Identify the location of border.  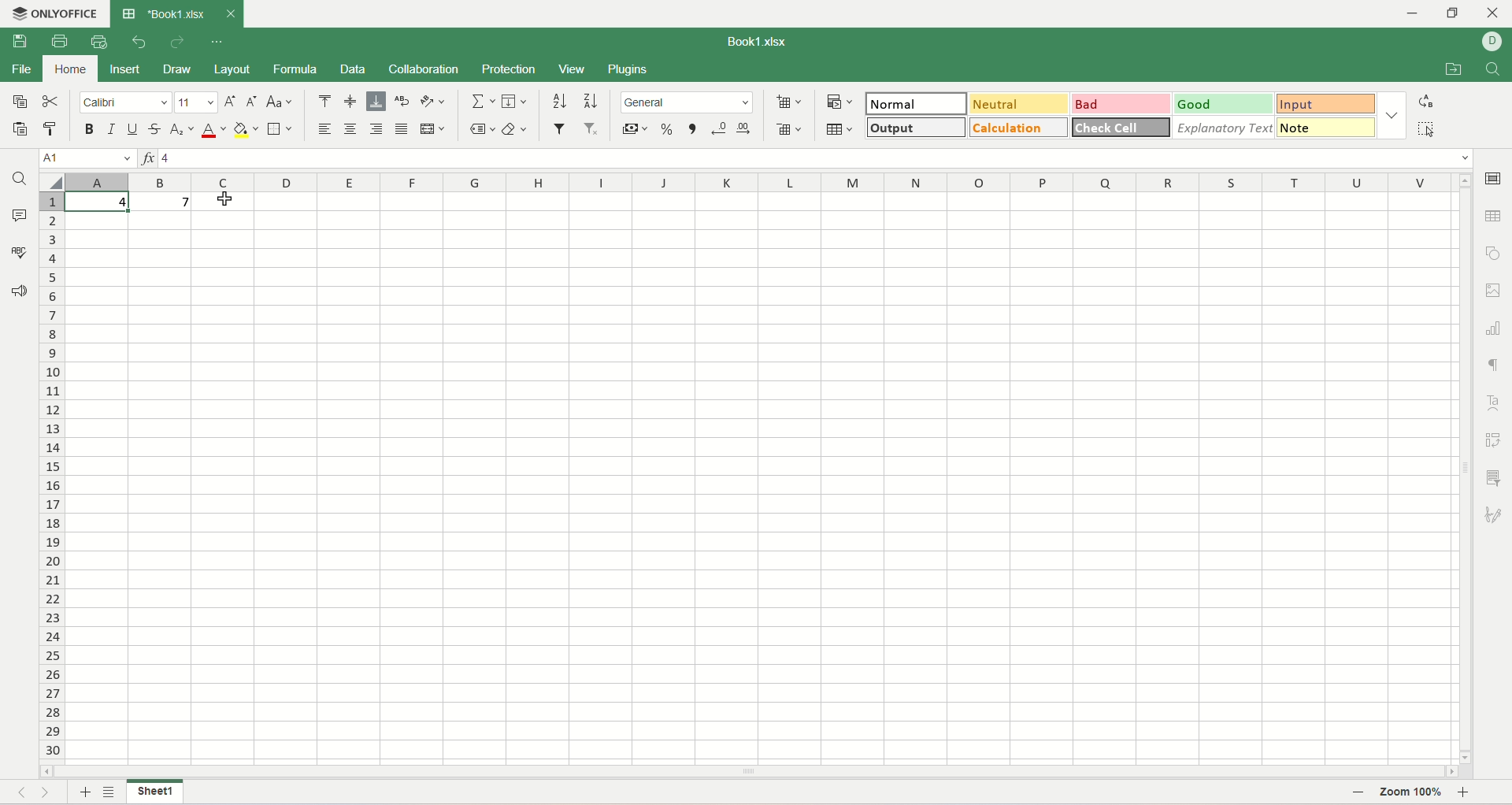
(281, 128).